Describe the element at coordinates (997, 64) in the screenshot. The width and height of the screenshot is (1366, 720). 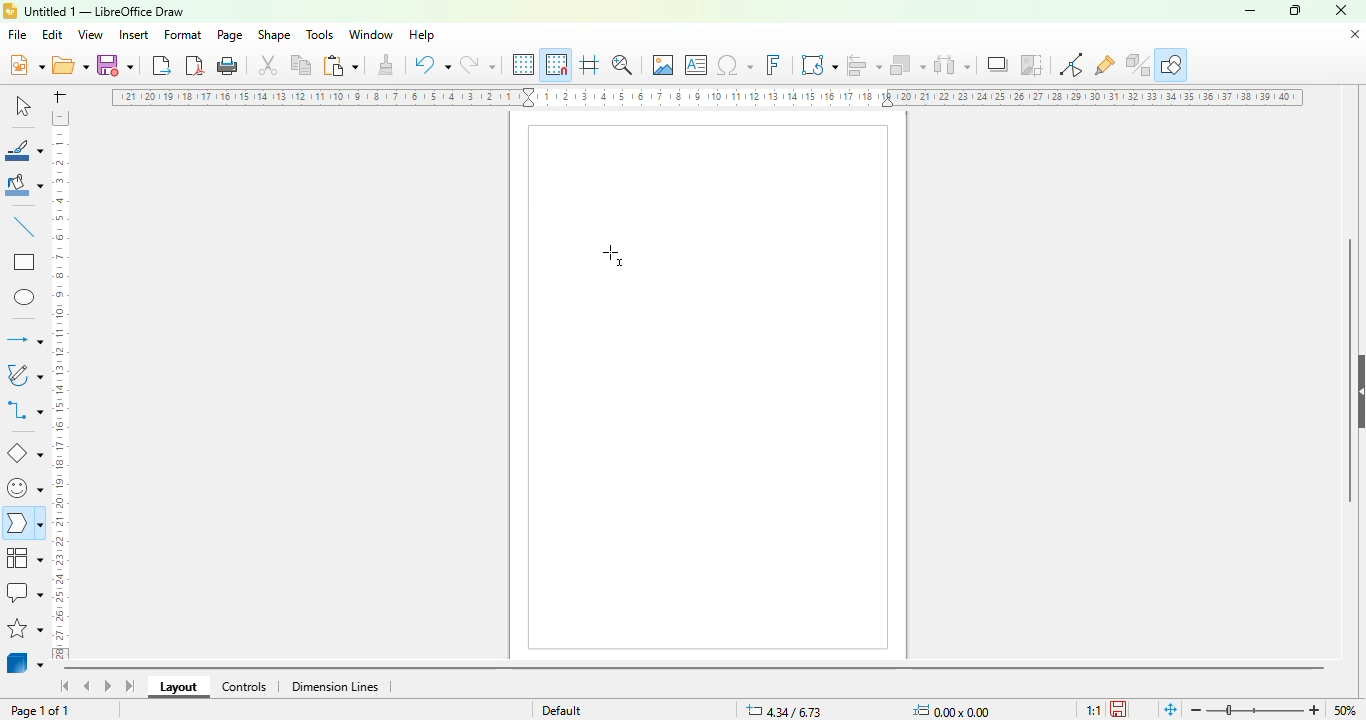
I see `shadow` at that location.